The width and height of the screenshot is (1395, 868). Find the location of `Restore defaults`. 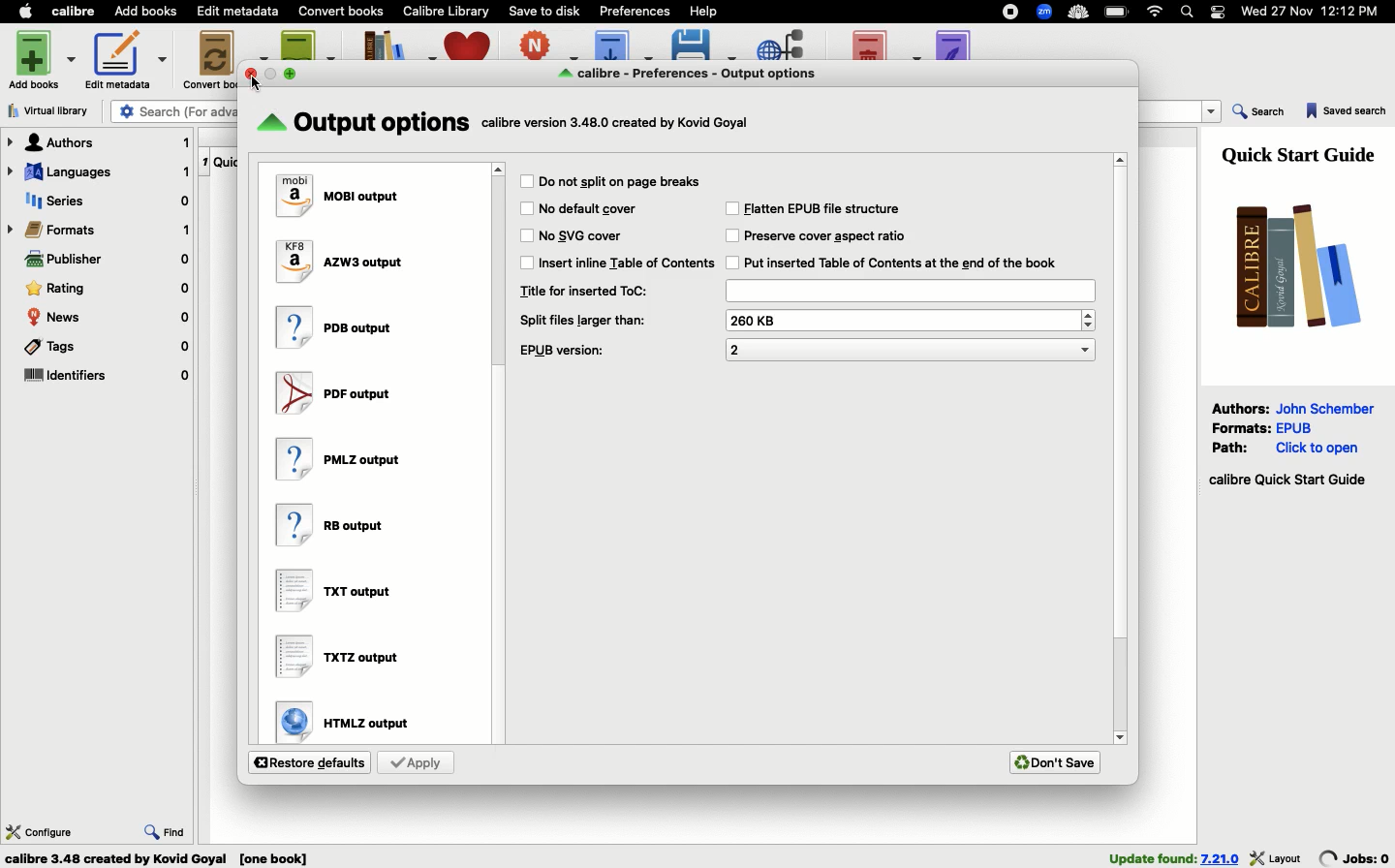

Restore defaults is located at coordinates (310, 762).